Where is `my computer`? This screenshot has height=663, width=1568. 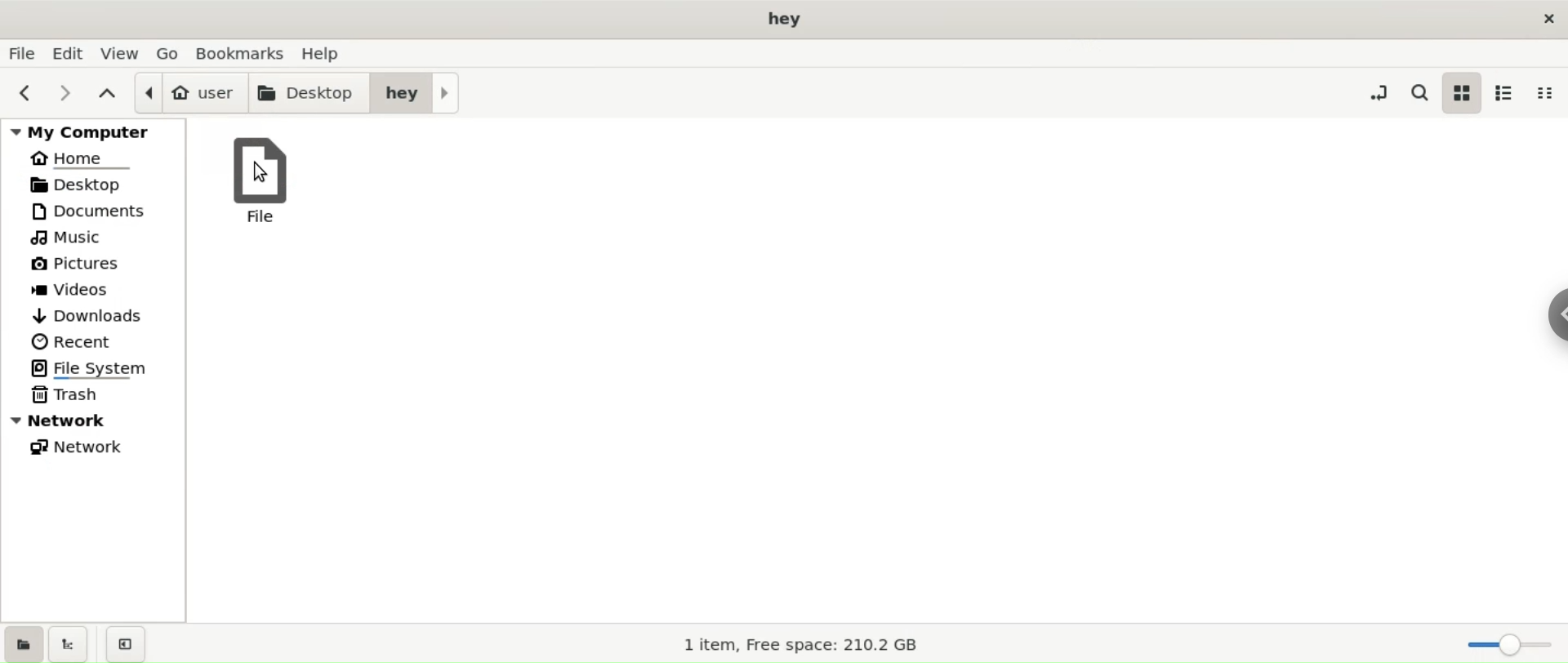
my computer is located at coordinates (94, 132).